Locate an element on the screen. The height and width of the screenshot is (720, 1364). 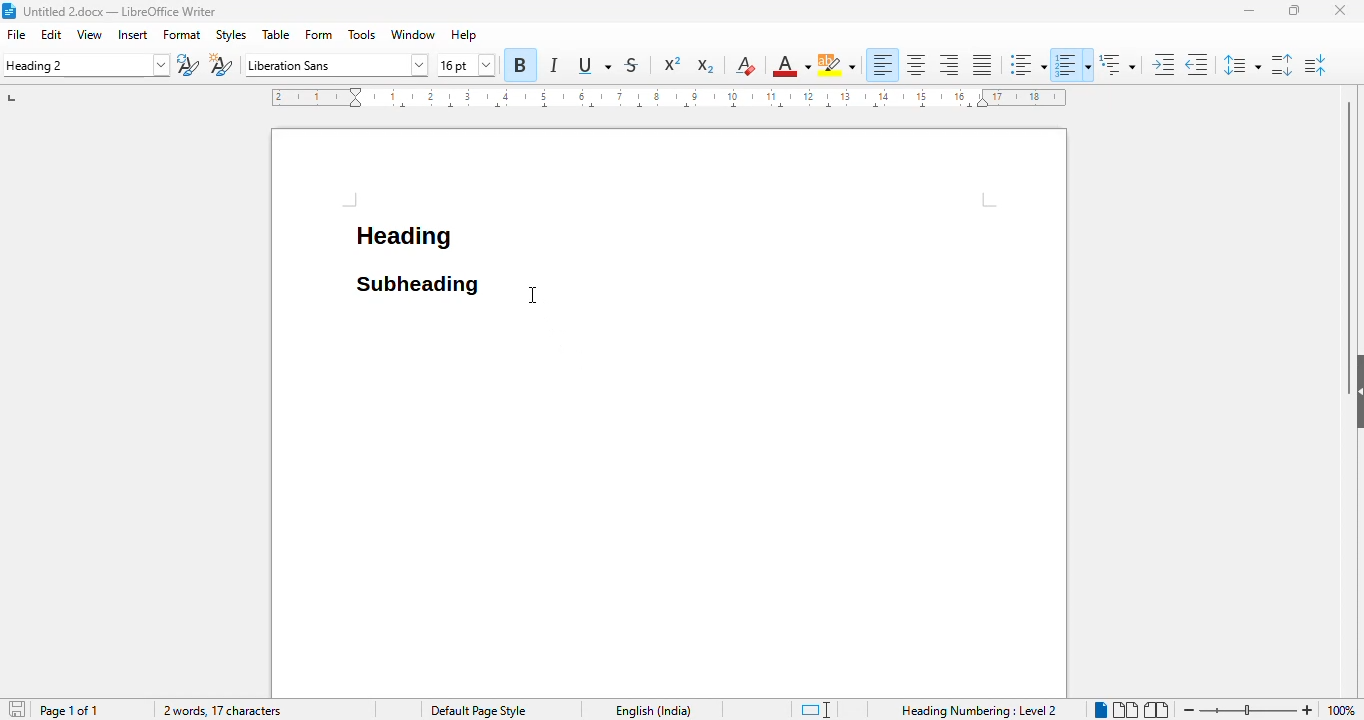
single-page view is located at coordinates (1101, 710).